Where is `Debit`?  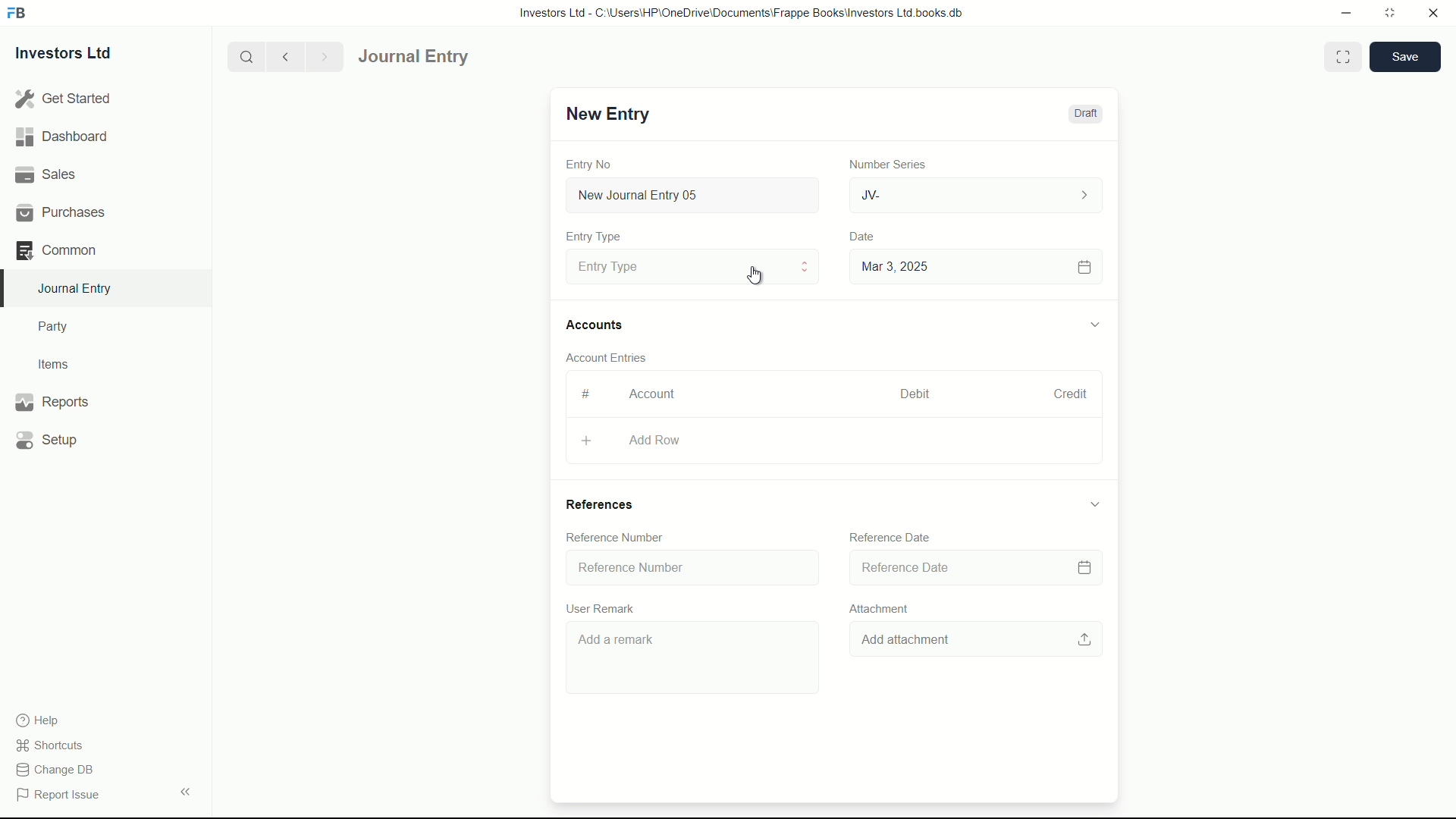 Debit is located at coordinates (908, 394).